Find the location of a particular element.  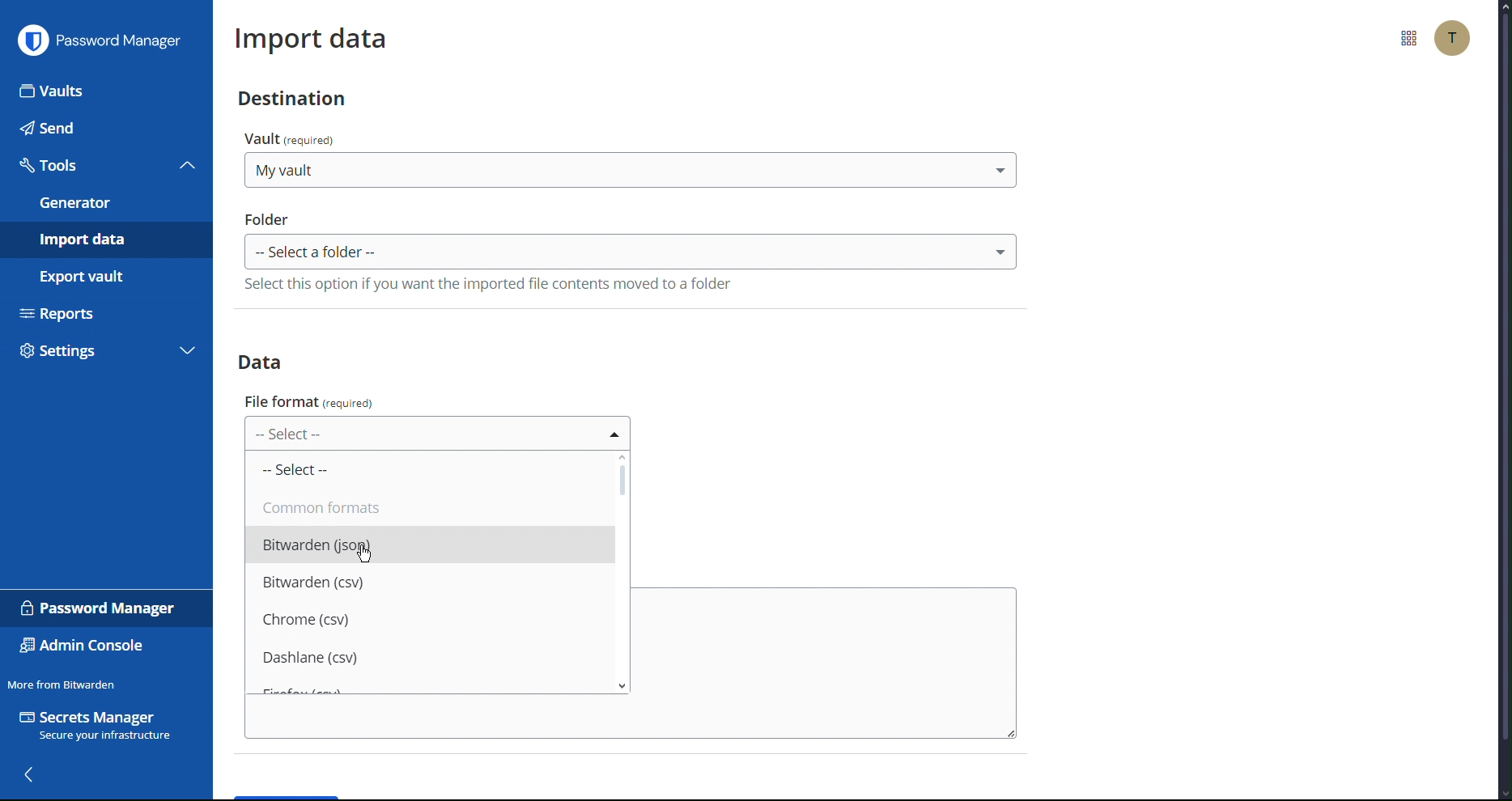

collapse tools is located at coordinates (188, 164).